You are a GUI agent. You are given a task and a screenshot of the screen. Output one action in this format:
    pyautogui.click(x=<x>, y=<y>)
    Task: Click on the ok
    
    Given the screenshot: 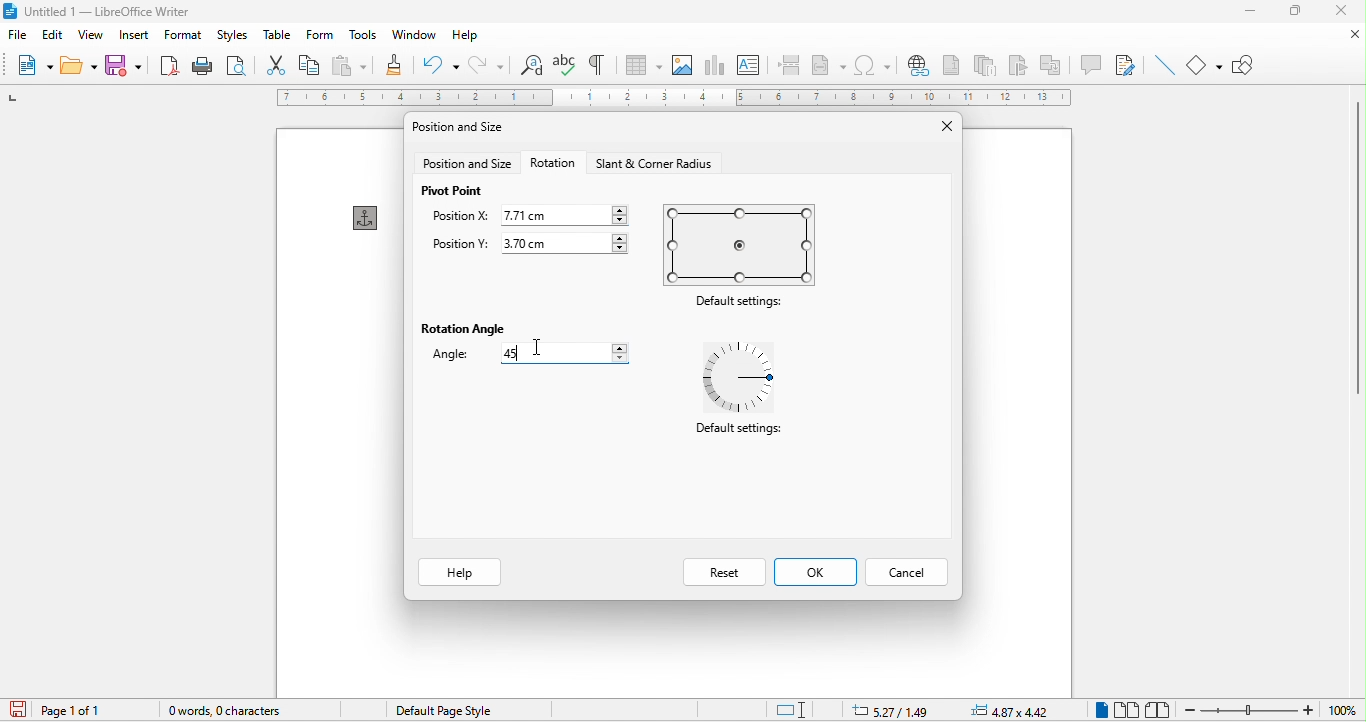 What is the action you would take?
    pyautogui.click(x=813, y=574)
    